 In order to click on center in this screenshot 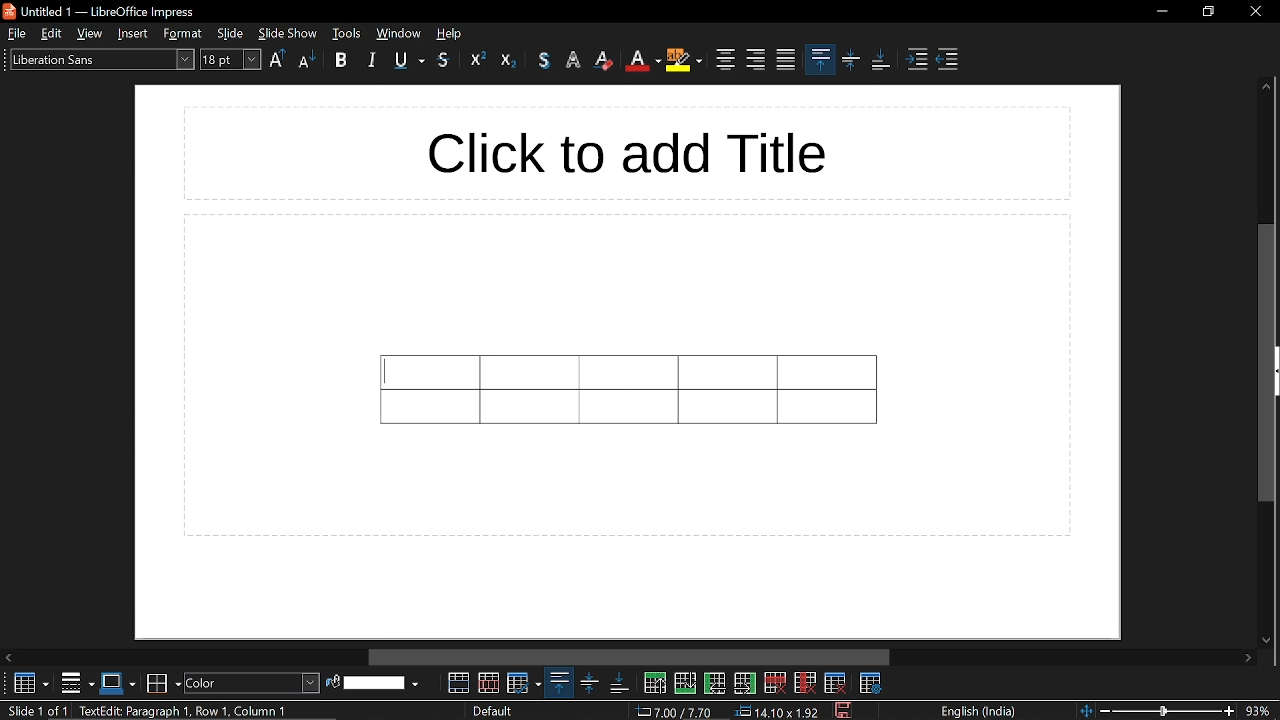, I will do `click(724, 57)`.